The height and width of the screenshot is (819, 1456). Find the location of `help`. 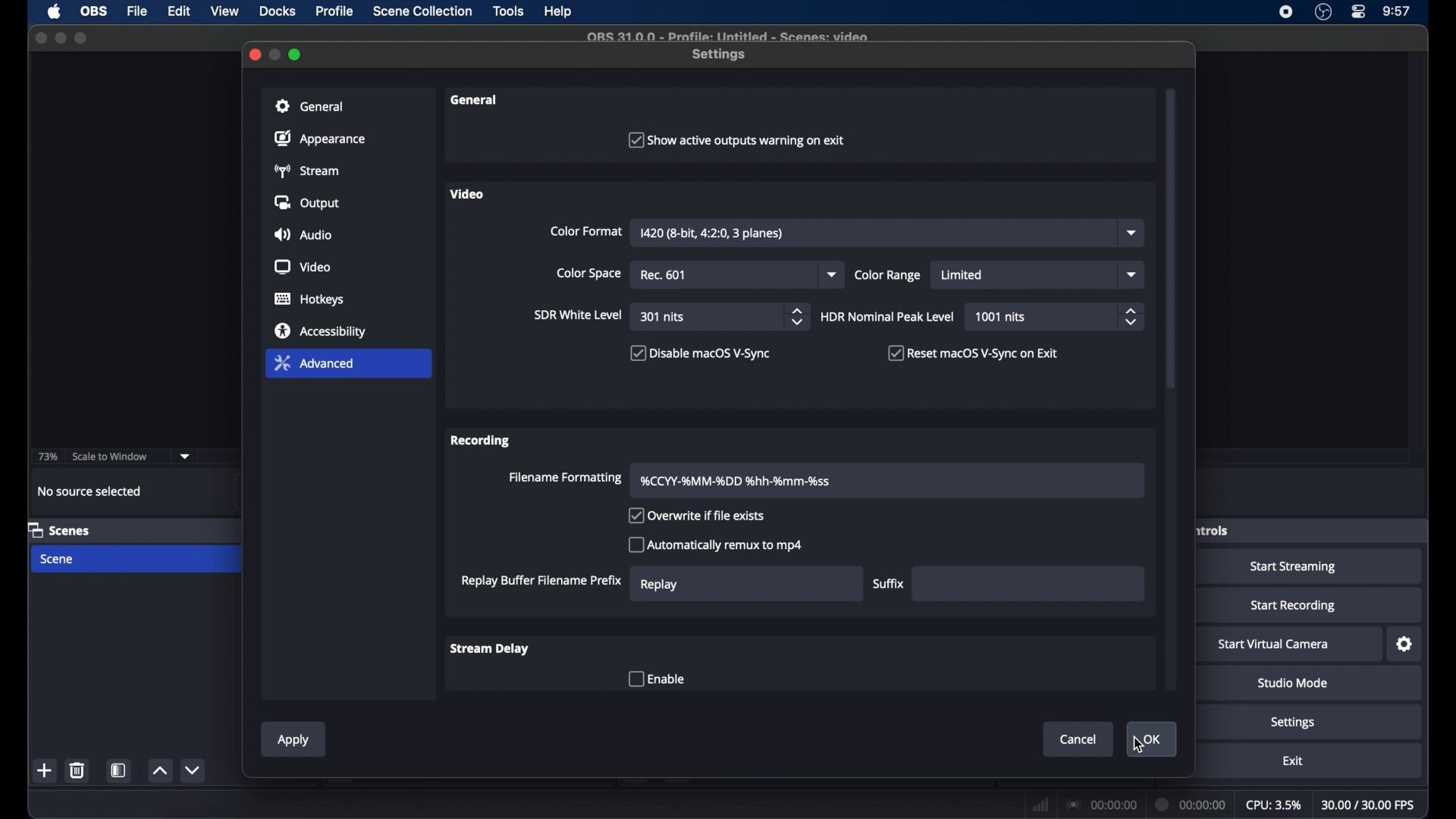

help is located at coordinates (559, 11).